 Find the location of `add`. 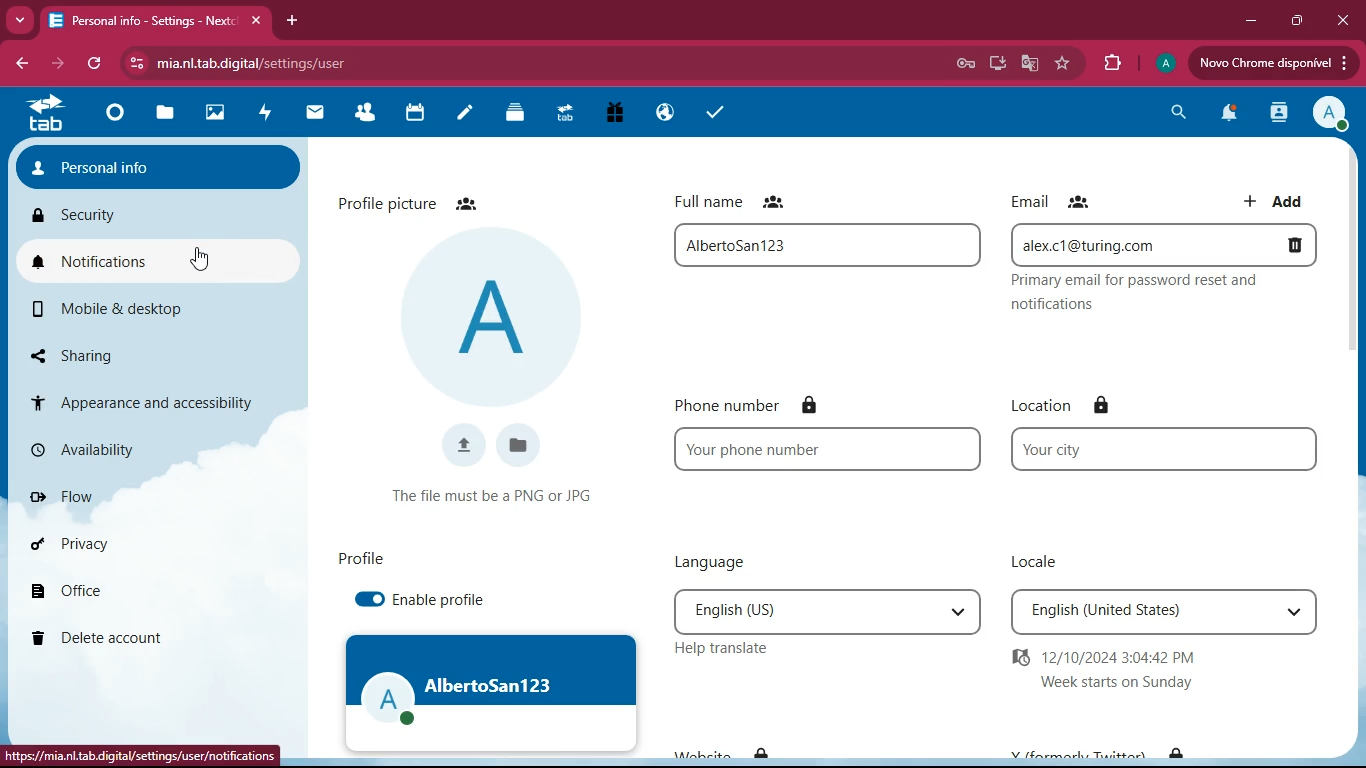

add is located at coordinates (1282, 198).